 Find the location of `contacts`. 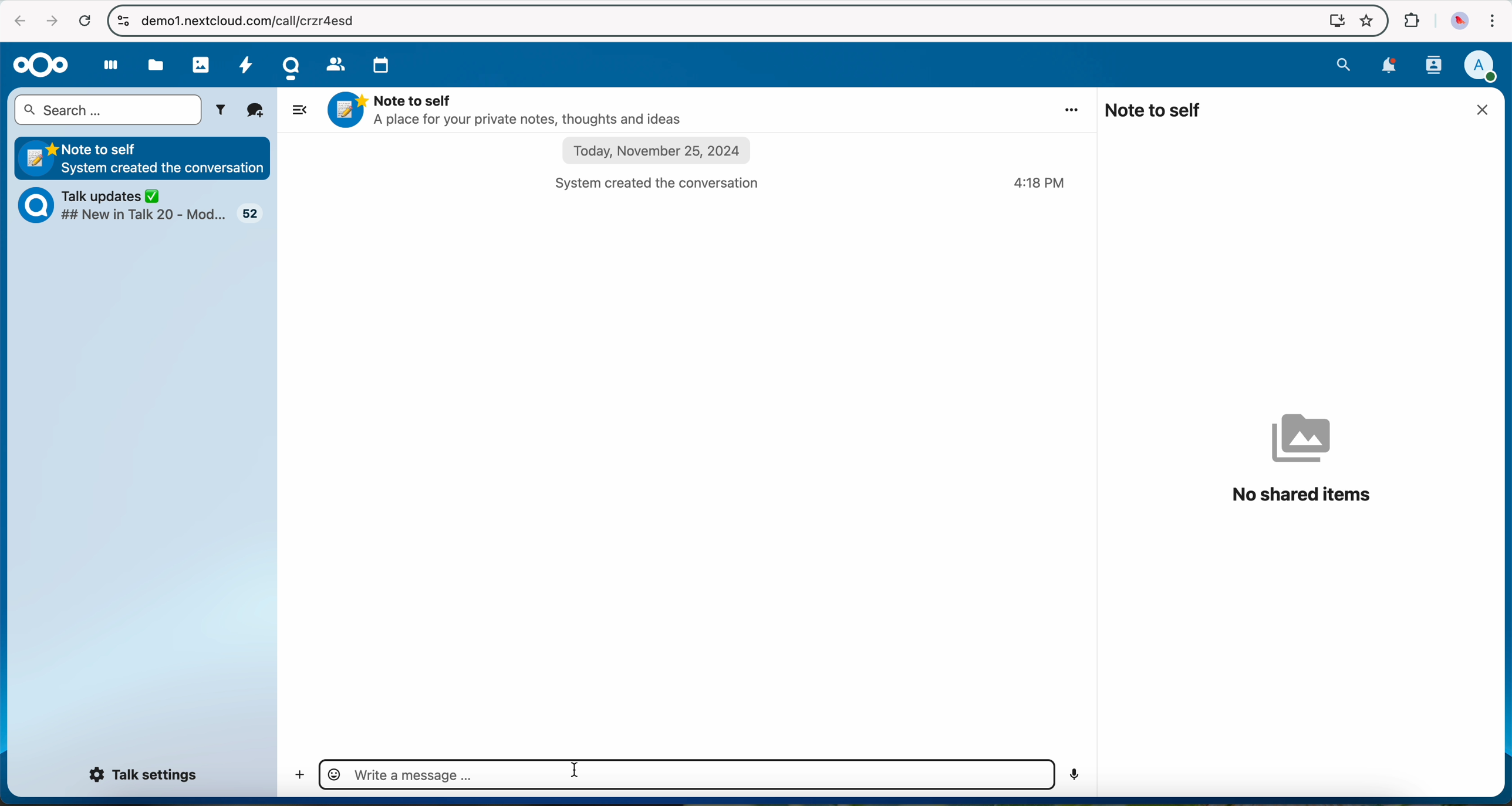

contacts is located at coordinates (335, 63).